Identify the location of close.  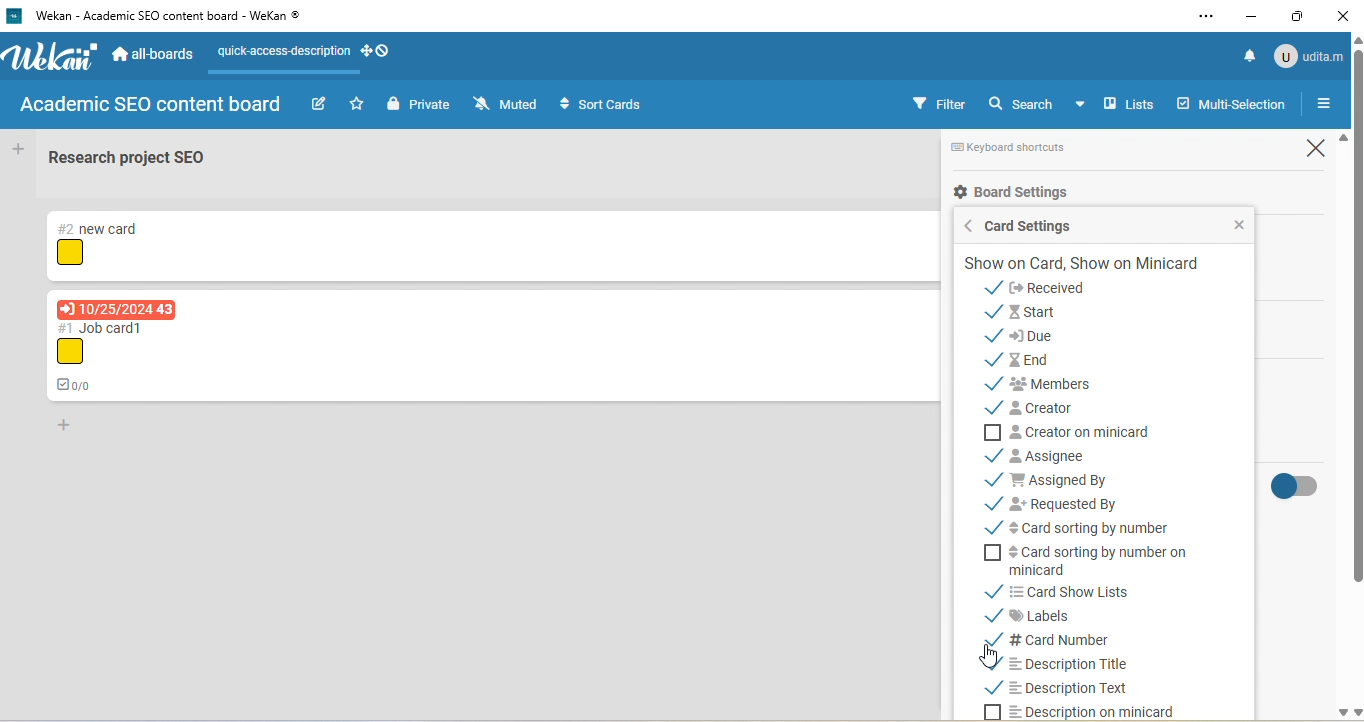
(1234, 224).